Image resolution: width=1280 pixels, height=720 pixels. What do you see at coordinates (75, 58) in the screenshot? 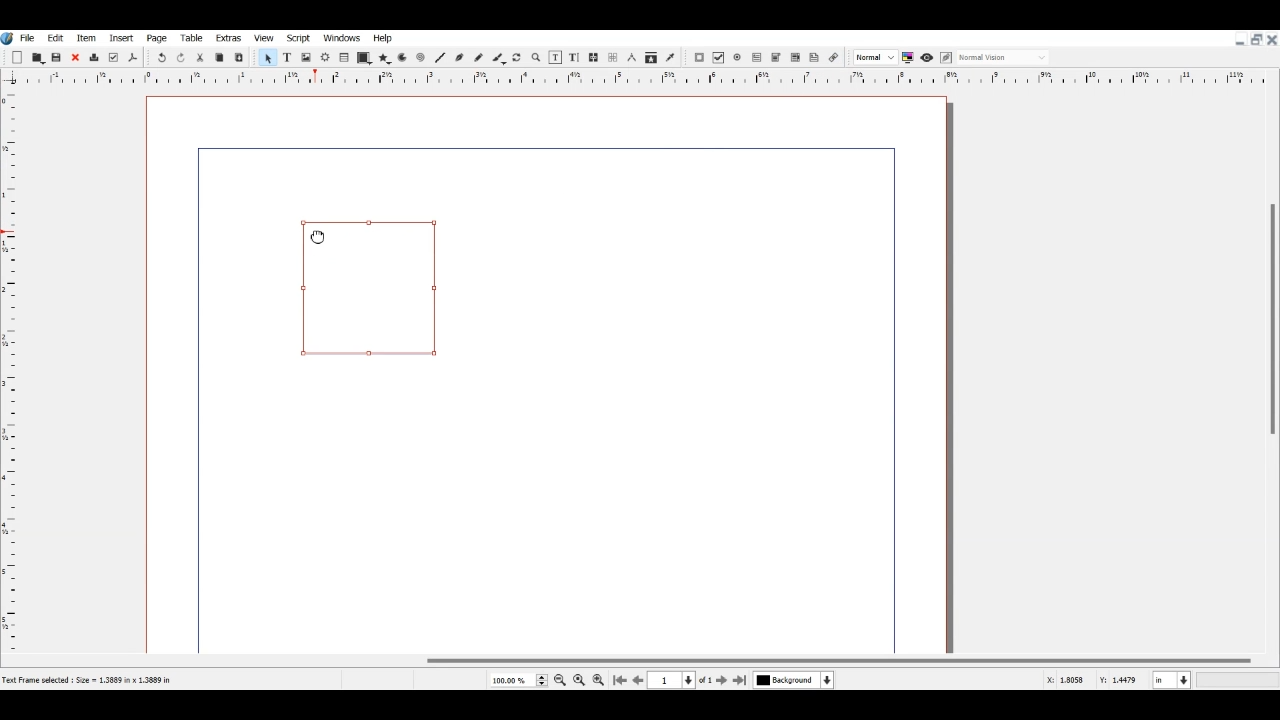
I see `Close` at bounding box center [75, 58].